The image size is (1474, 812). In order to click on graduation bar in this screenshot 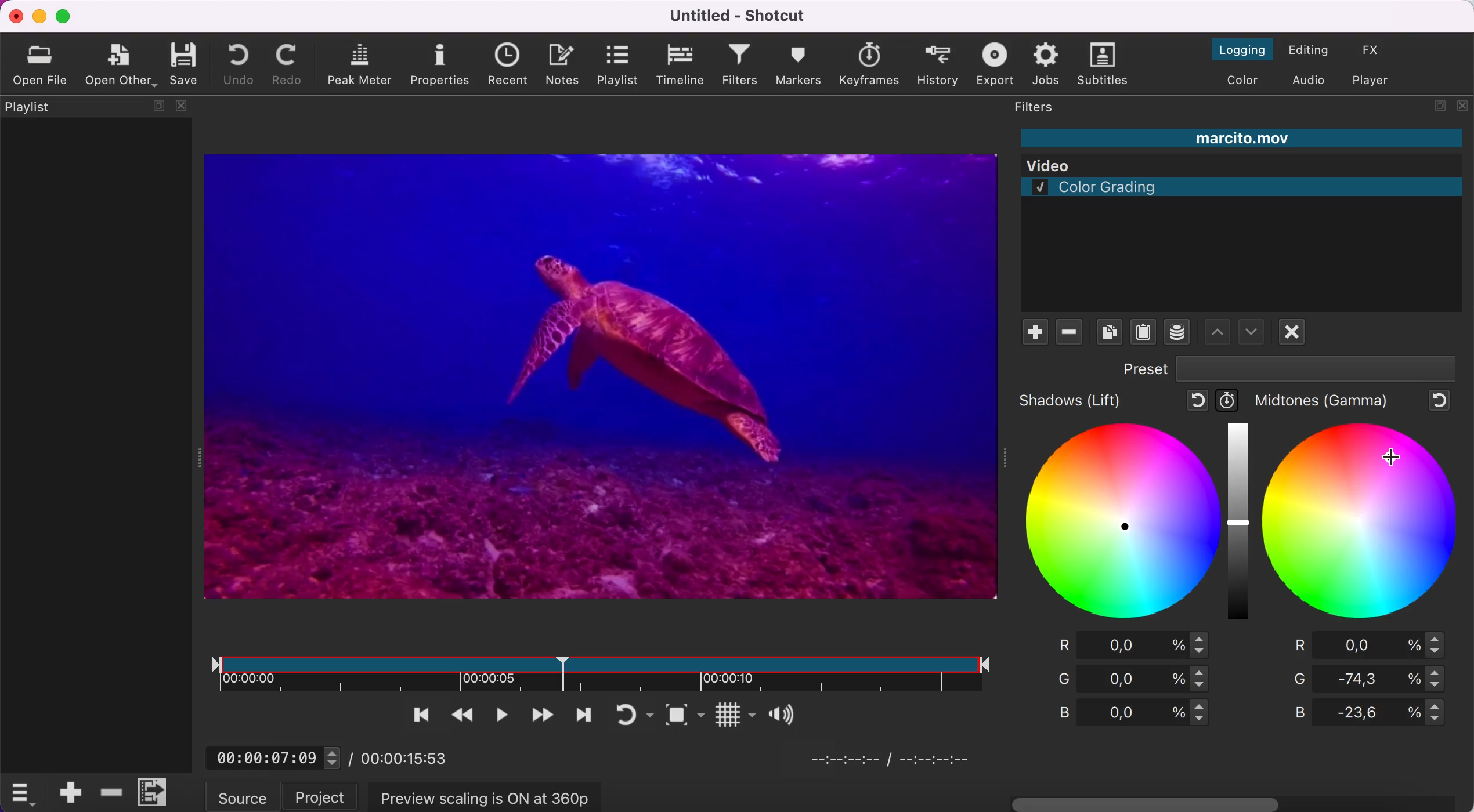, I will do `click(1241, 523)`.